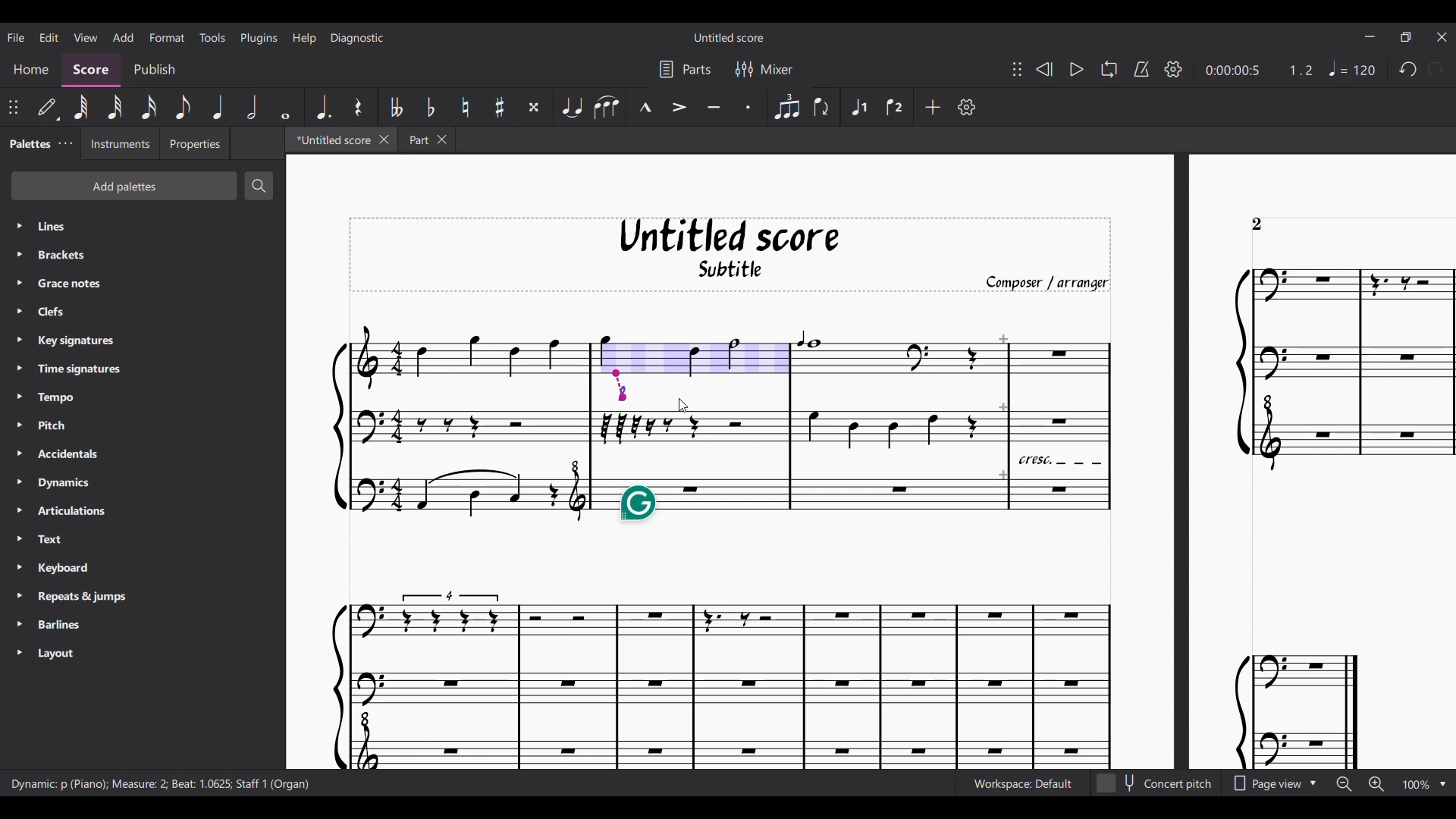  Describe the element at coordinates (49, 36) in the screenshot. I see `Edit menu` at that location.